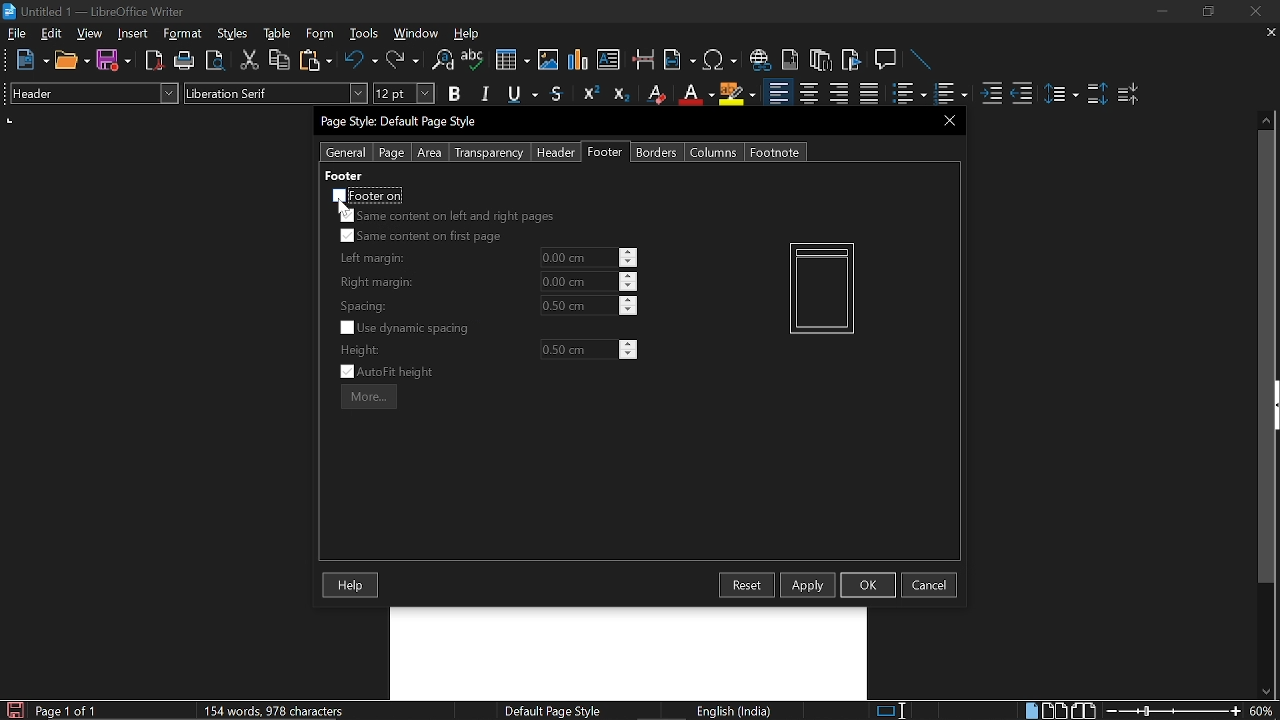  I want to click on Find and replace, so click(441, 61).